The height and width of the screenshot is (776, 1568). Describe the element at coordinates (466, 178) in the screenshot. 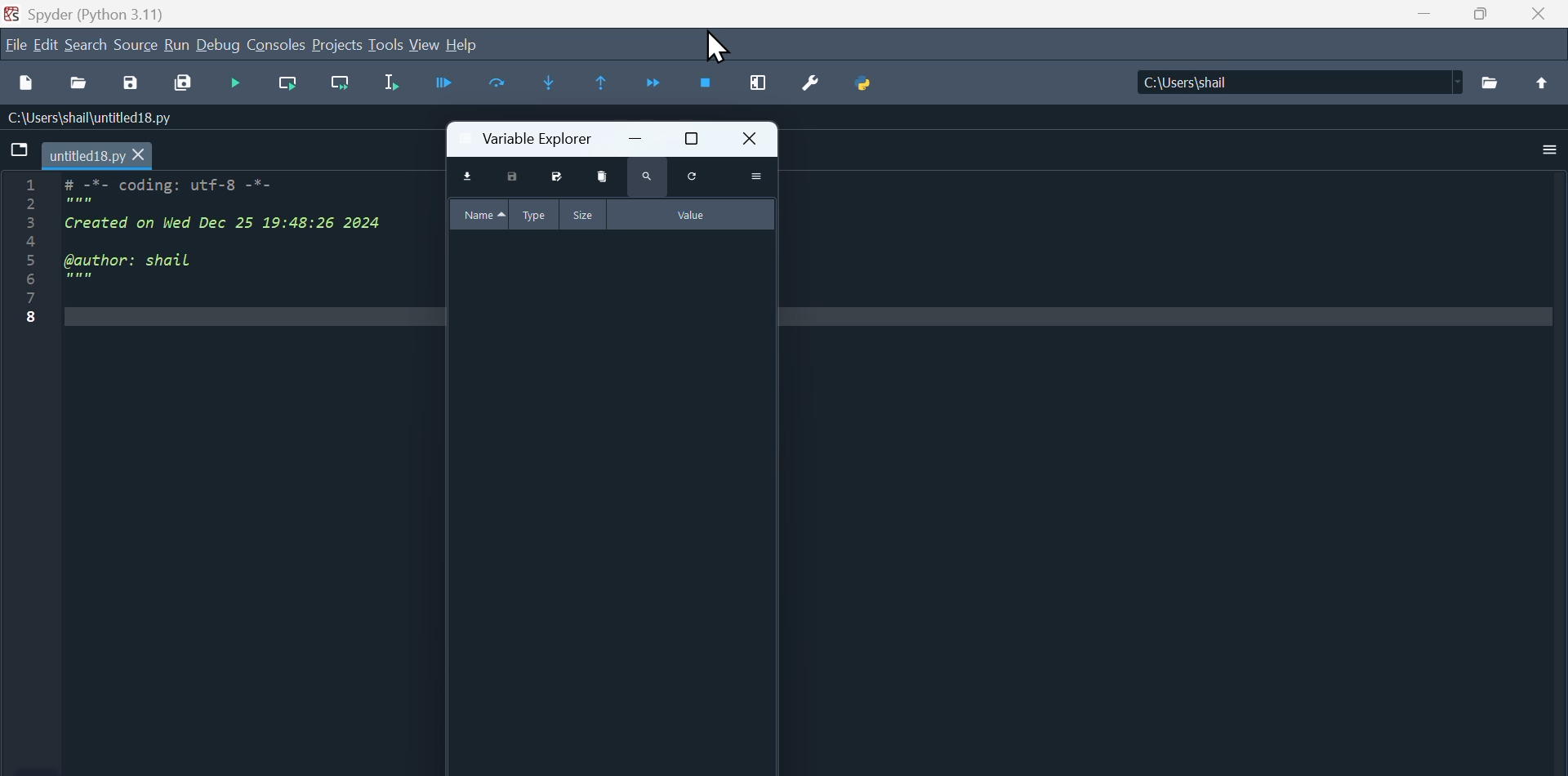

I see `import` at that location.